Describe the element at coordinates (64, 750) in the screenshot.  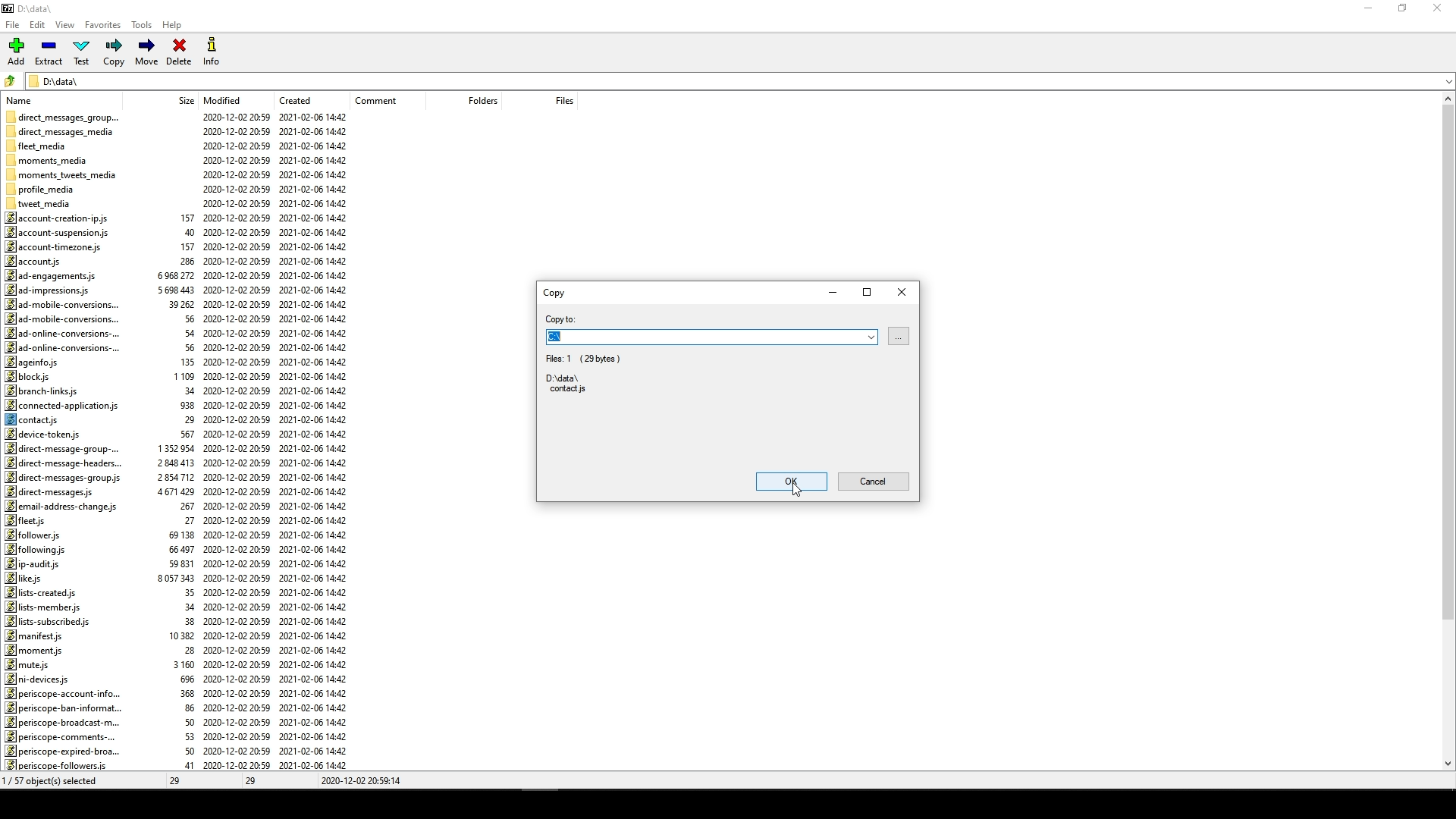
I see `periscope-expired-broa` at that location.